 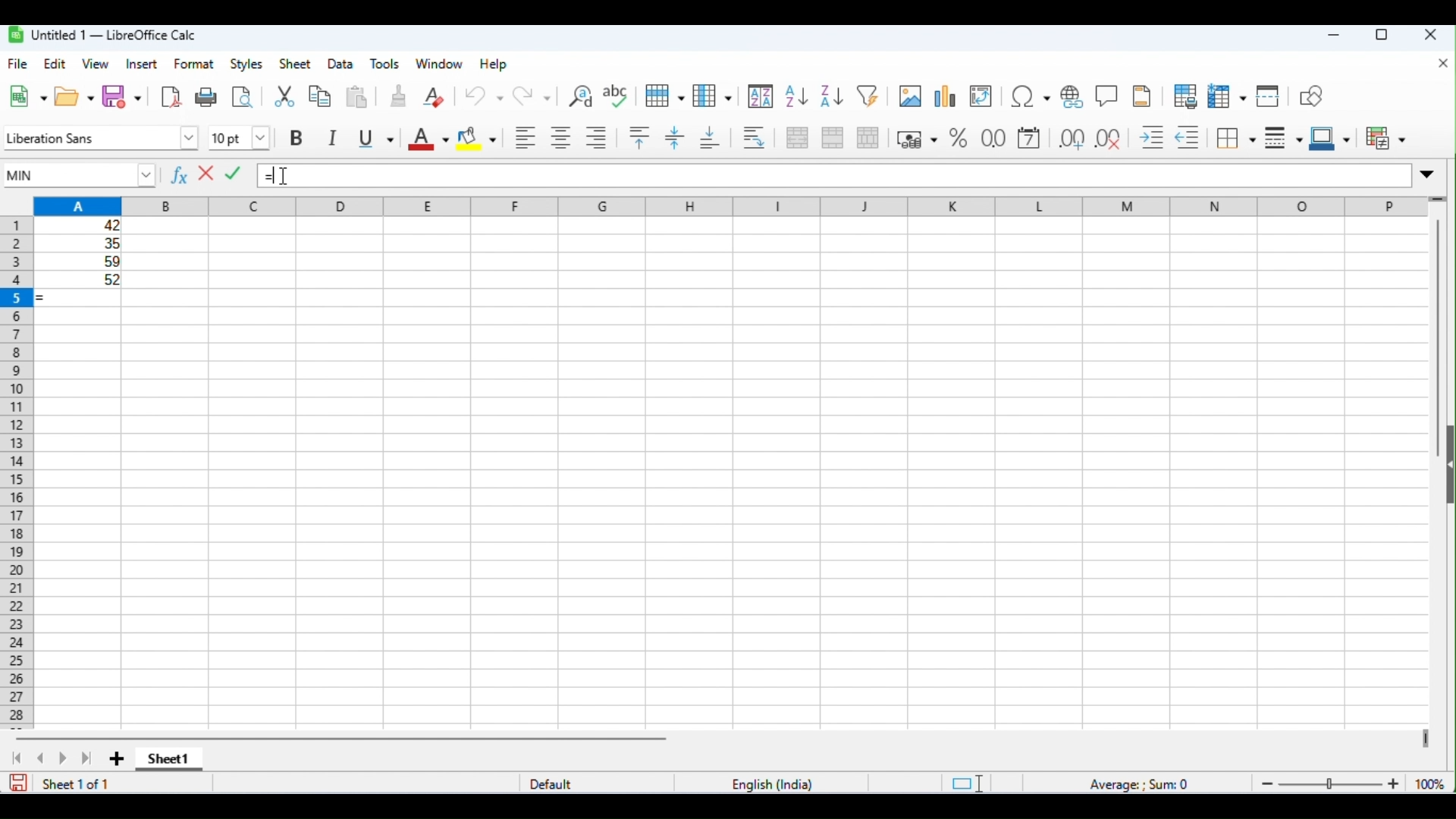 What do you see at coordinates (341, 64) in the screenshot?
I see `data` at bounding box center [341, 64].